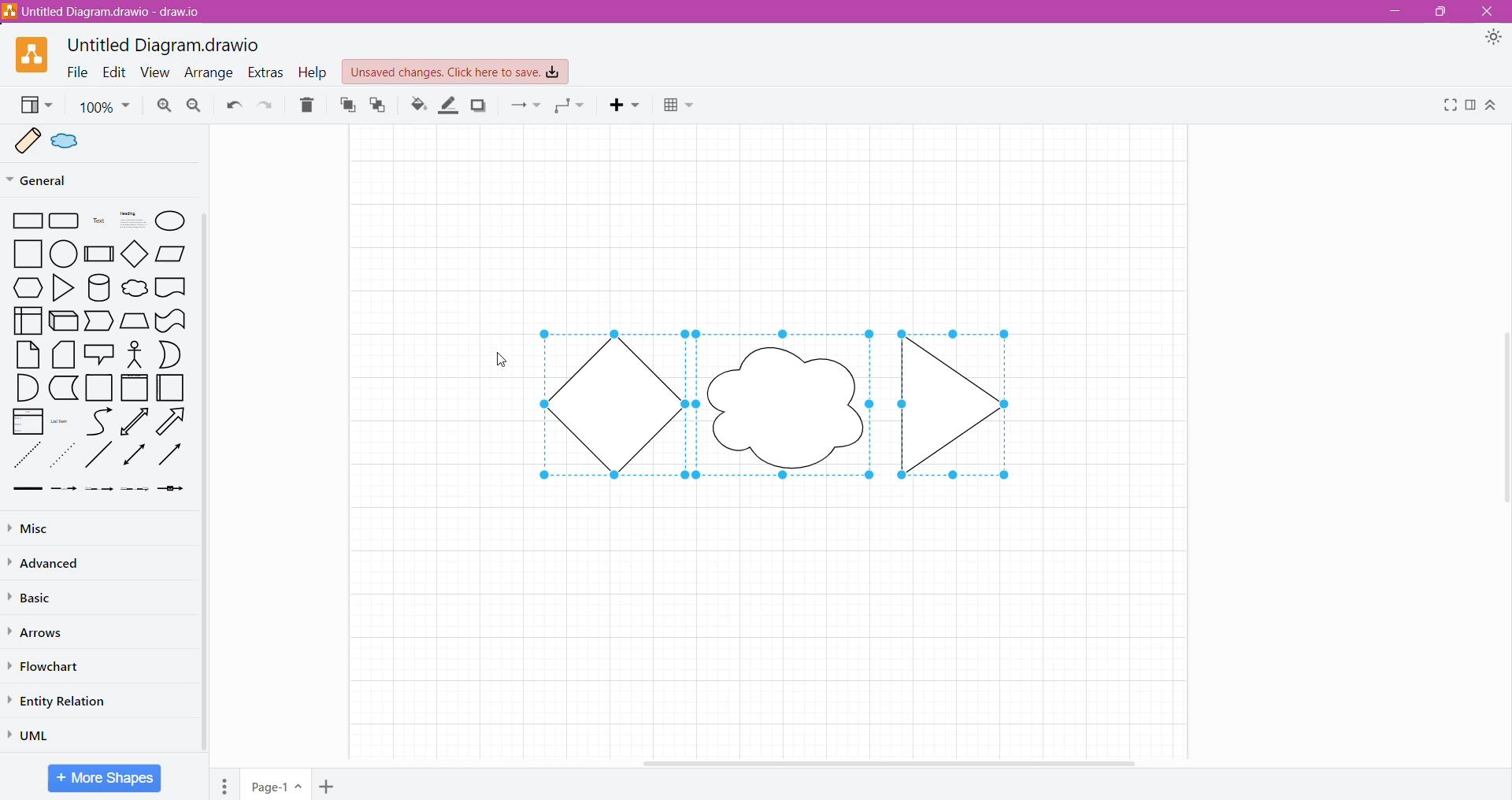 The image size is (1512, 800). I want to click on UML, so click(36, 733).